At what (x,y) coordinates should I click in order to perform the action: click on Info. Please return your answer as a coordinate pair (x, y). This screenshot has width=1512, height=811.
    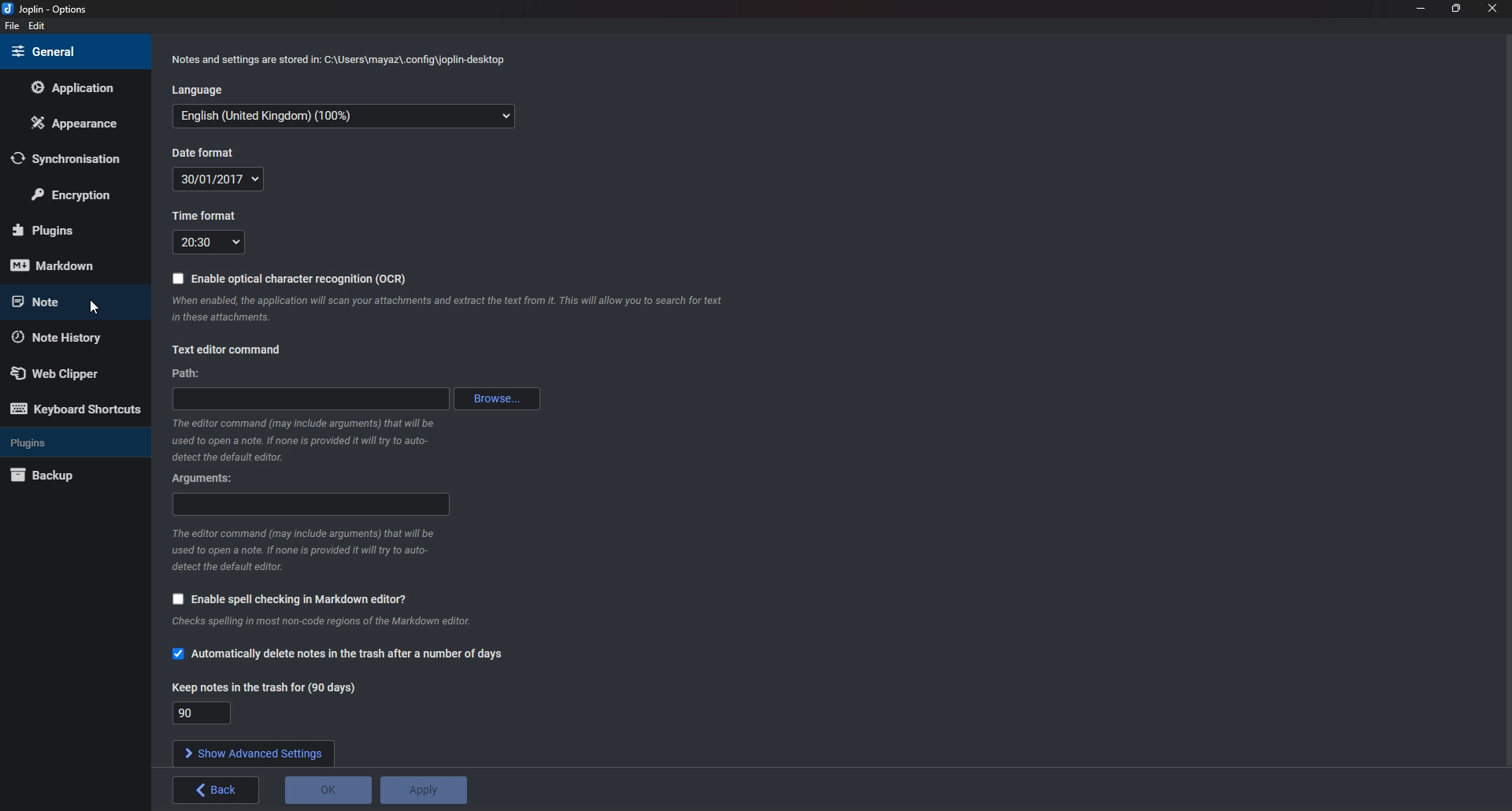
    Looking at the image, I should click on (302, 554).